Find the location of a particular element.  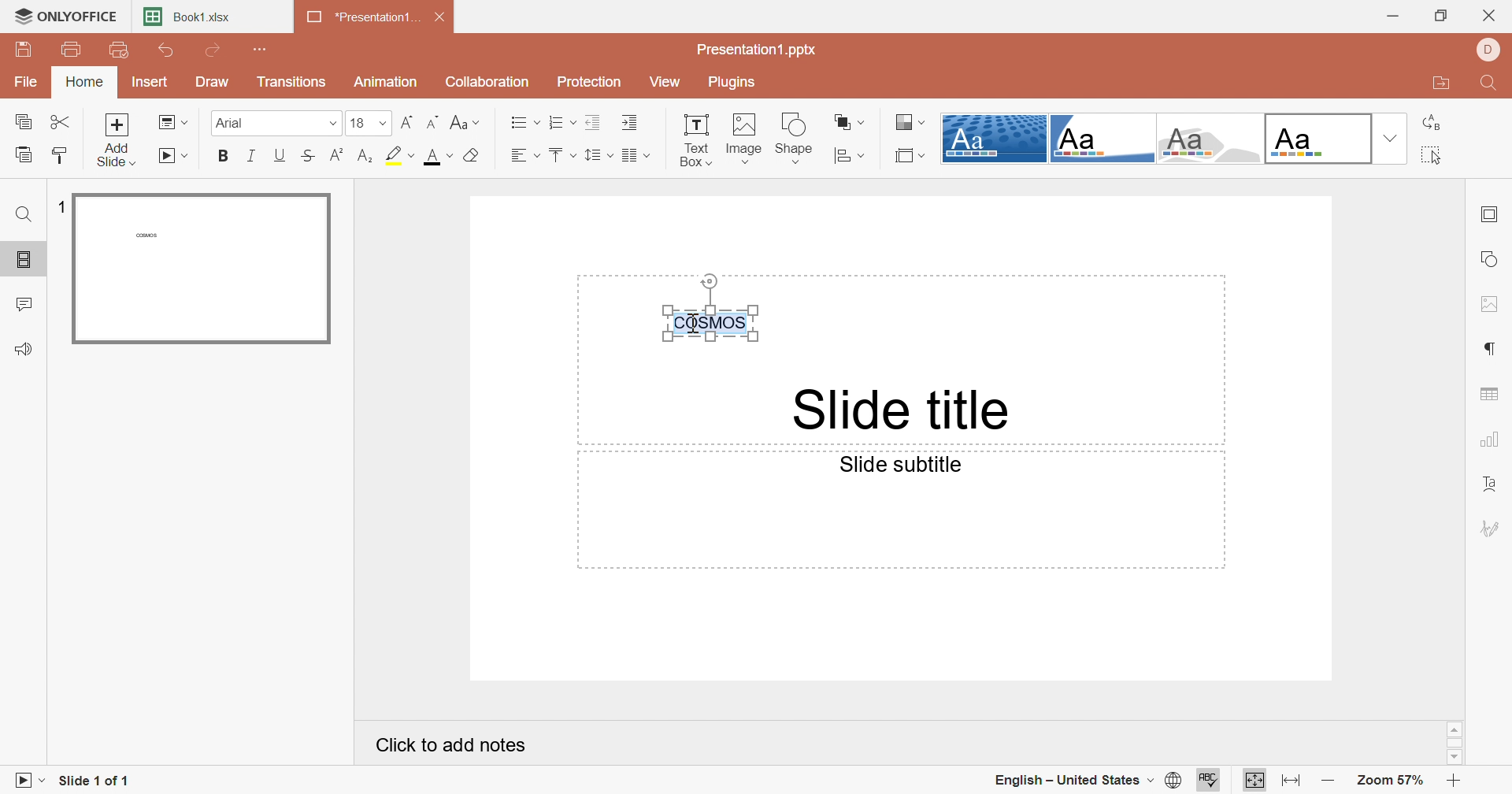

18 is located at coordinates (369, 124).